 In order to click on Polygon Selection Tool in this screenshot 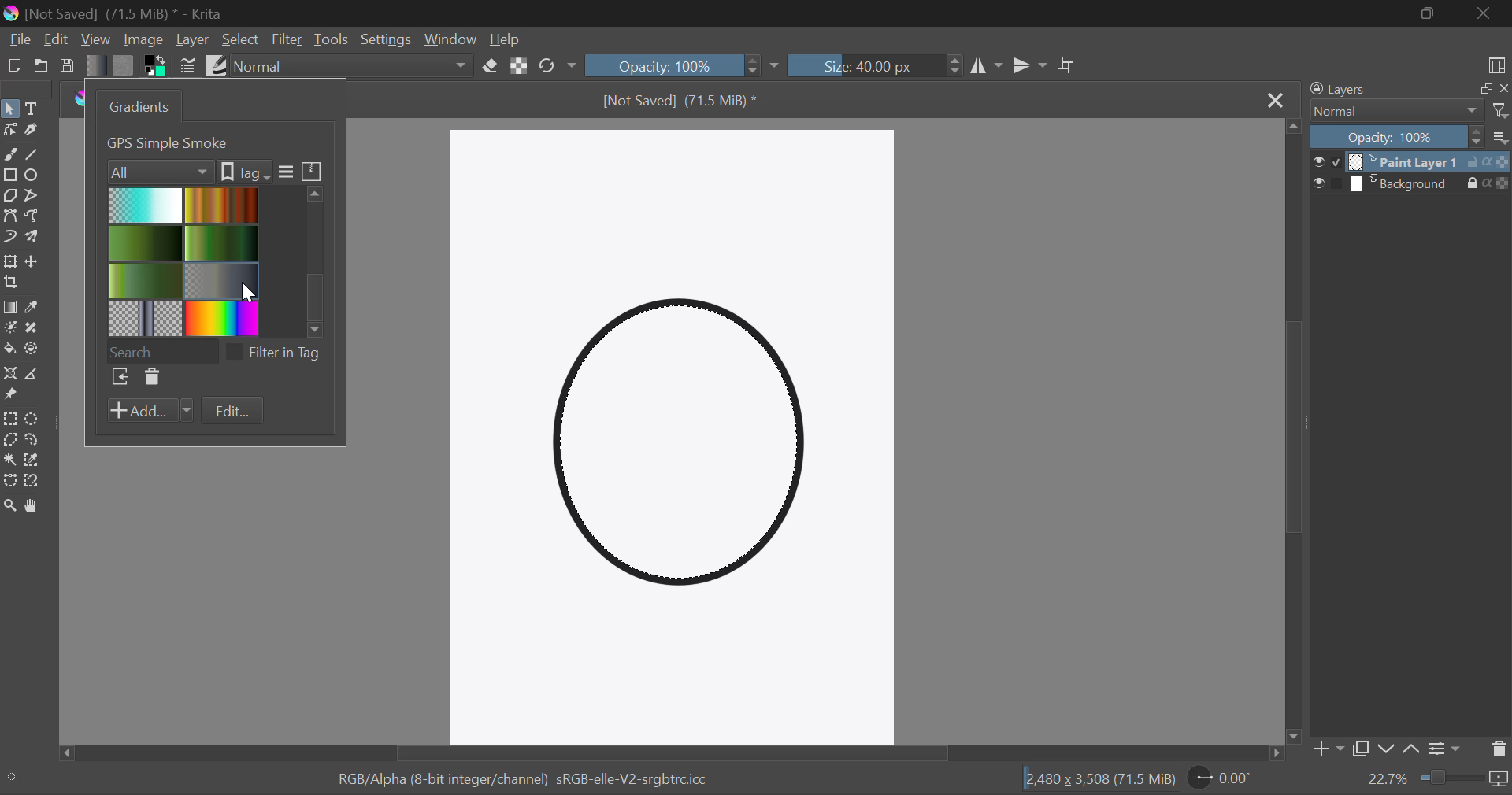, I will do `click(9, 439)`.